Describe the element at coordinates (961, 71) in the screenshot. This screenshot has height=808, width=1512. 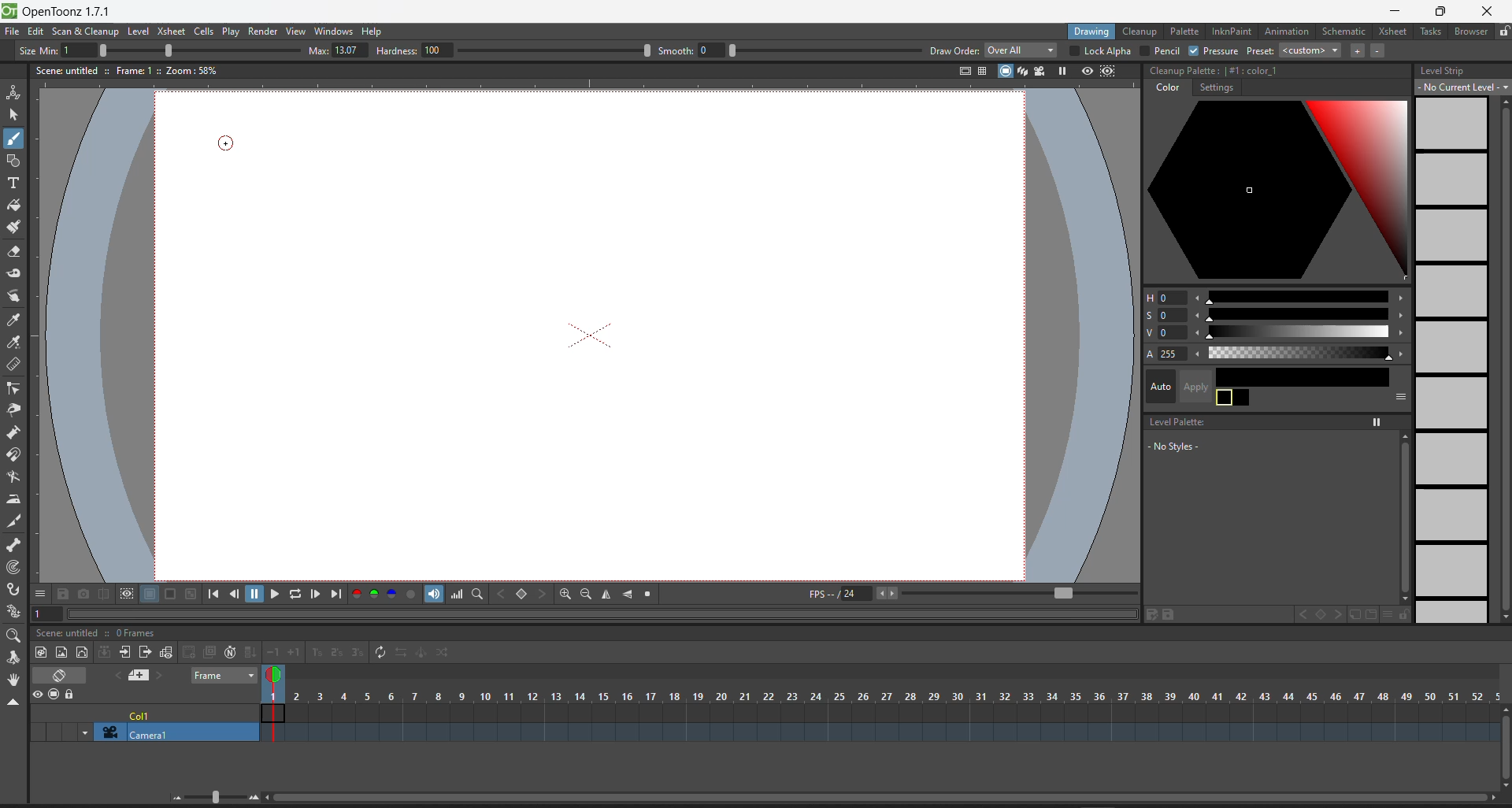
I see `safe area` at that location.